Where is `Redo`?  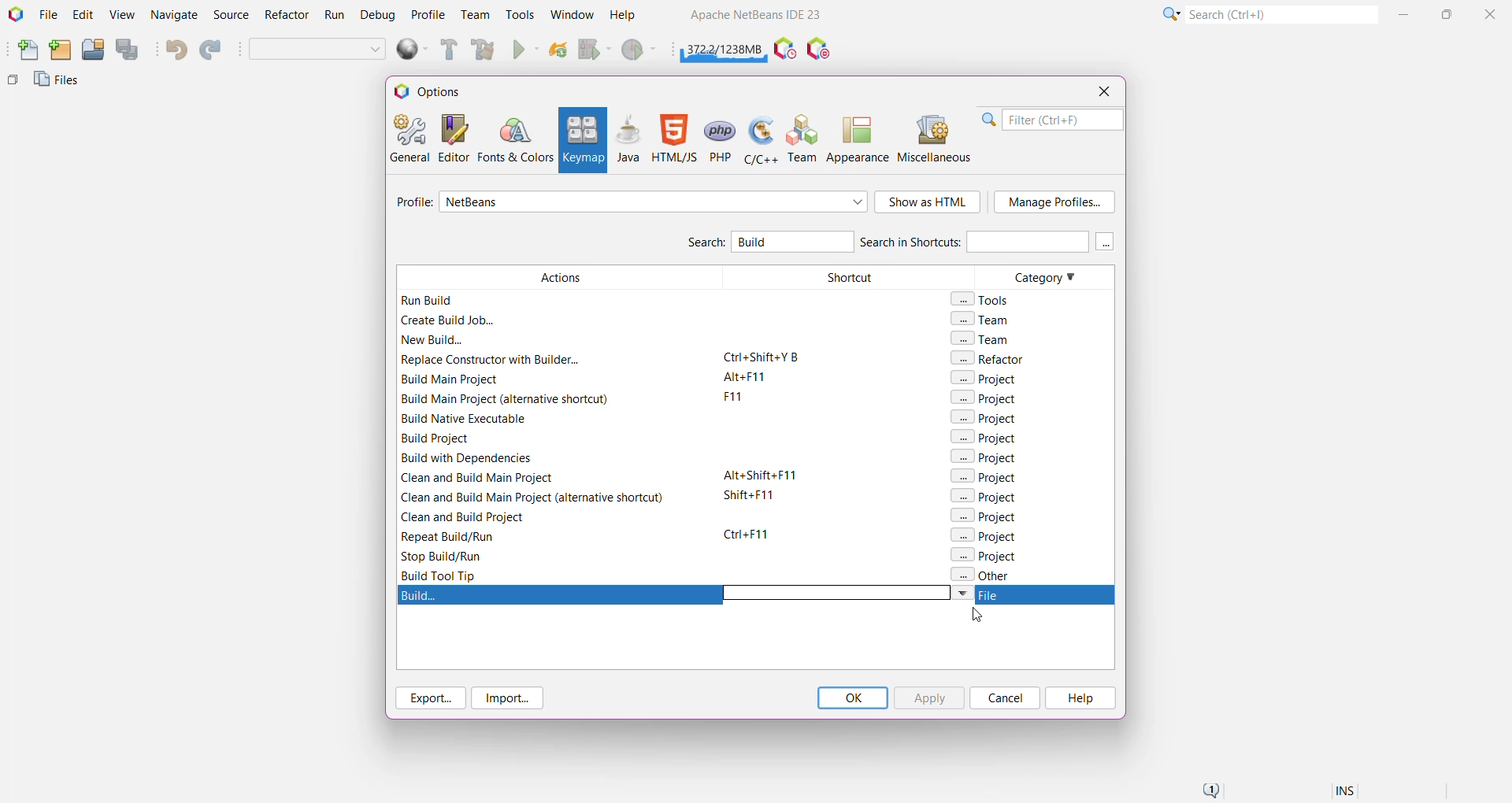
Redo is located at coordinates (213, 50).